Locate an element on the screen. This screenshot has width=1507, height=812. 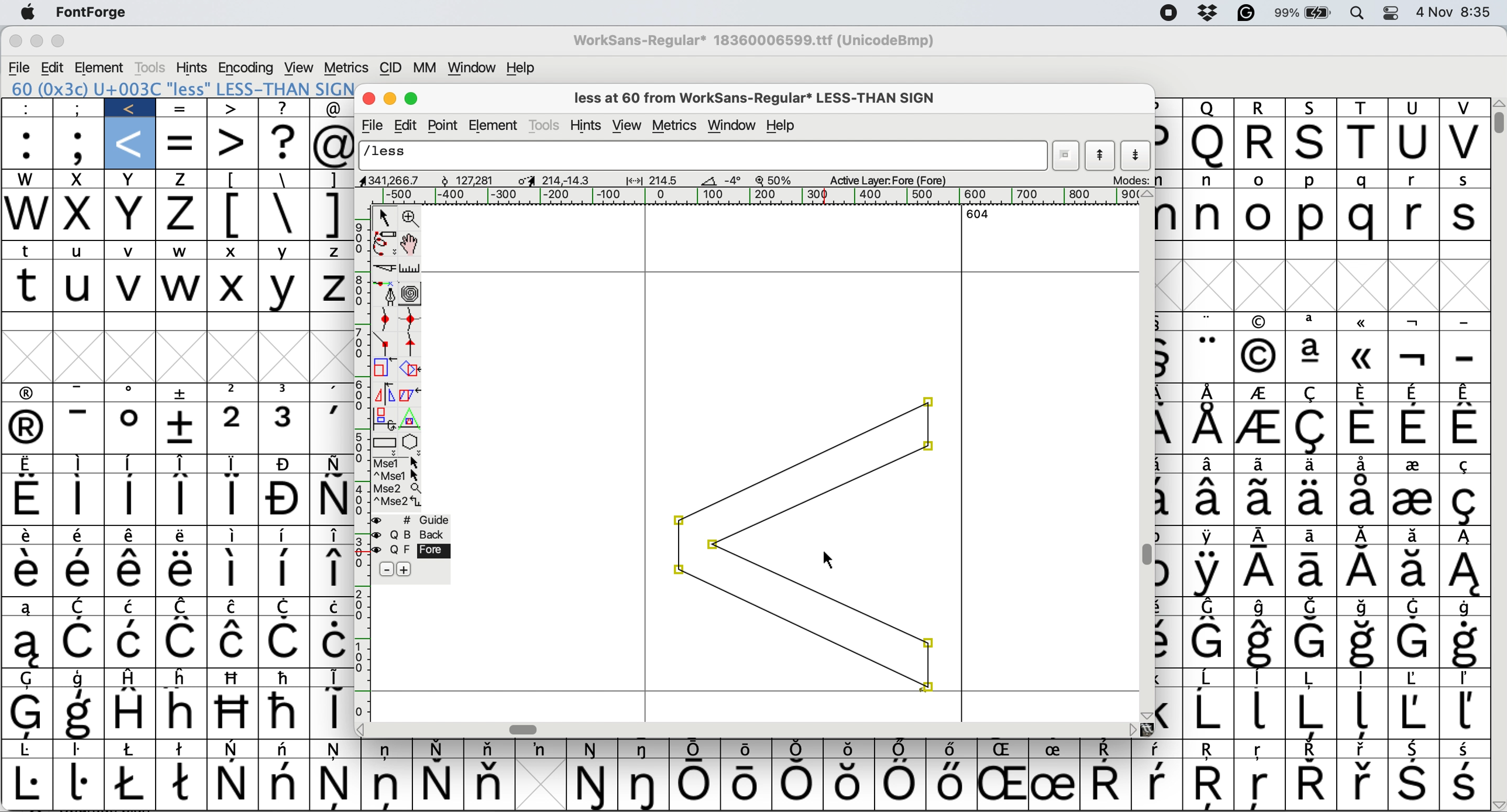
w is located at coordinates (27, 215).